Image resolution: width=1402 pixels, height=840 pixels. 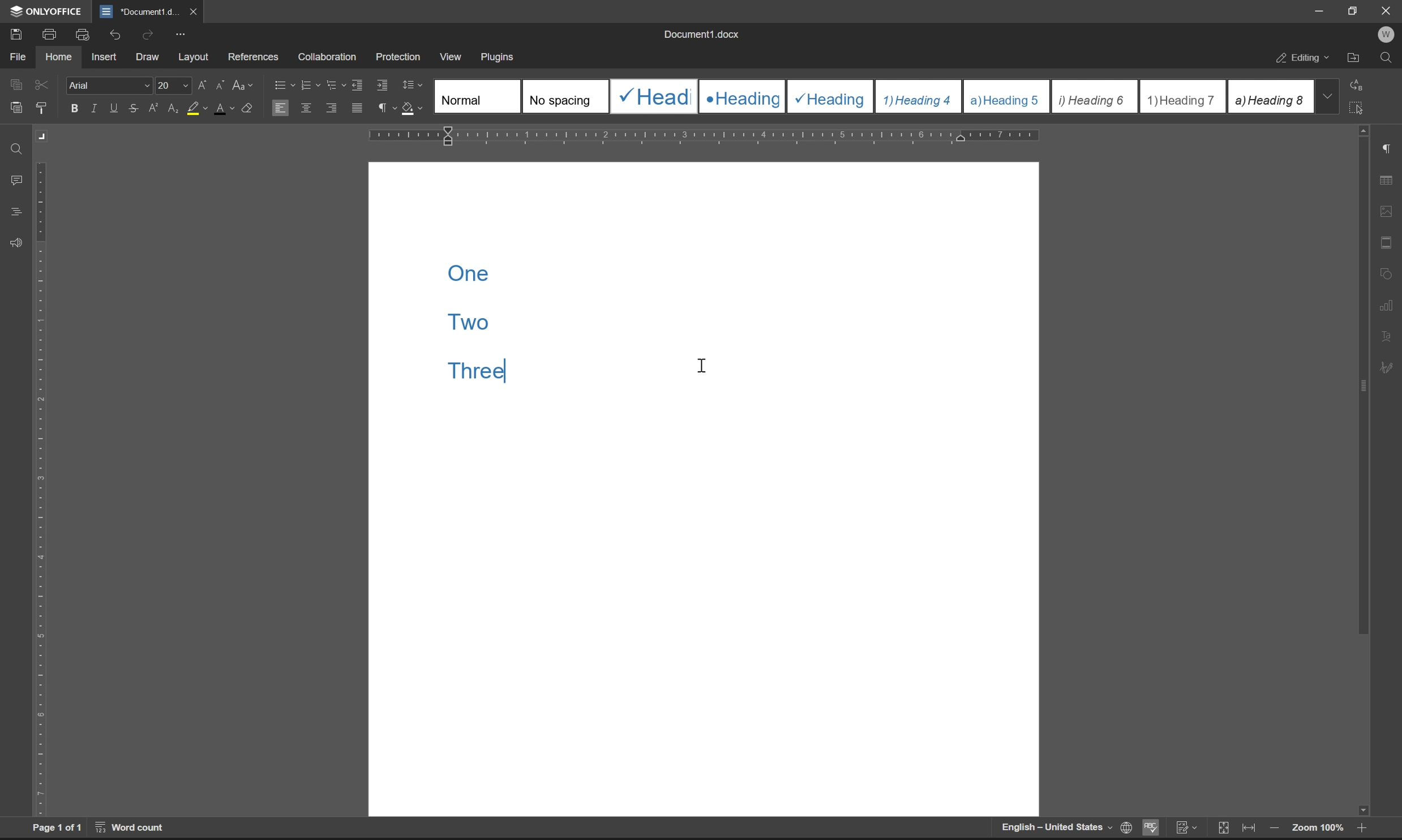 What do you see at coordinates (1386, 181) in the screenshot?
I see `table settings` at bounding box center [1386, 181].